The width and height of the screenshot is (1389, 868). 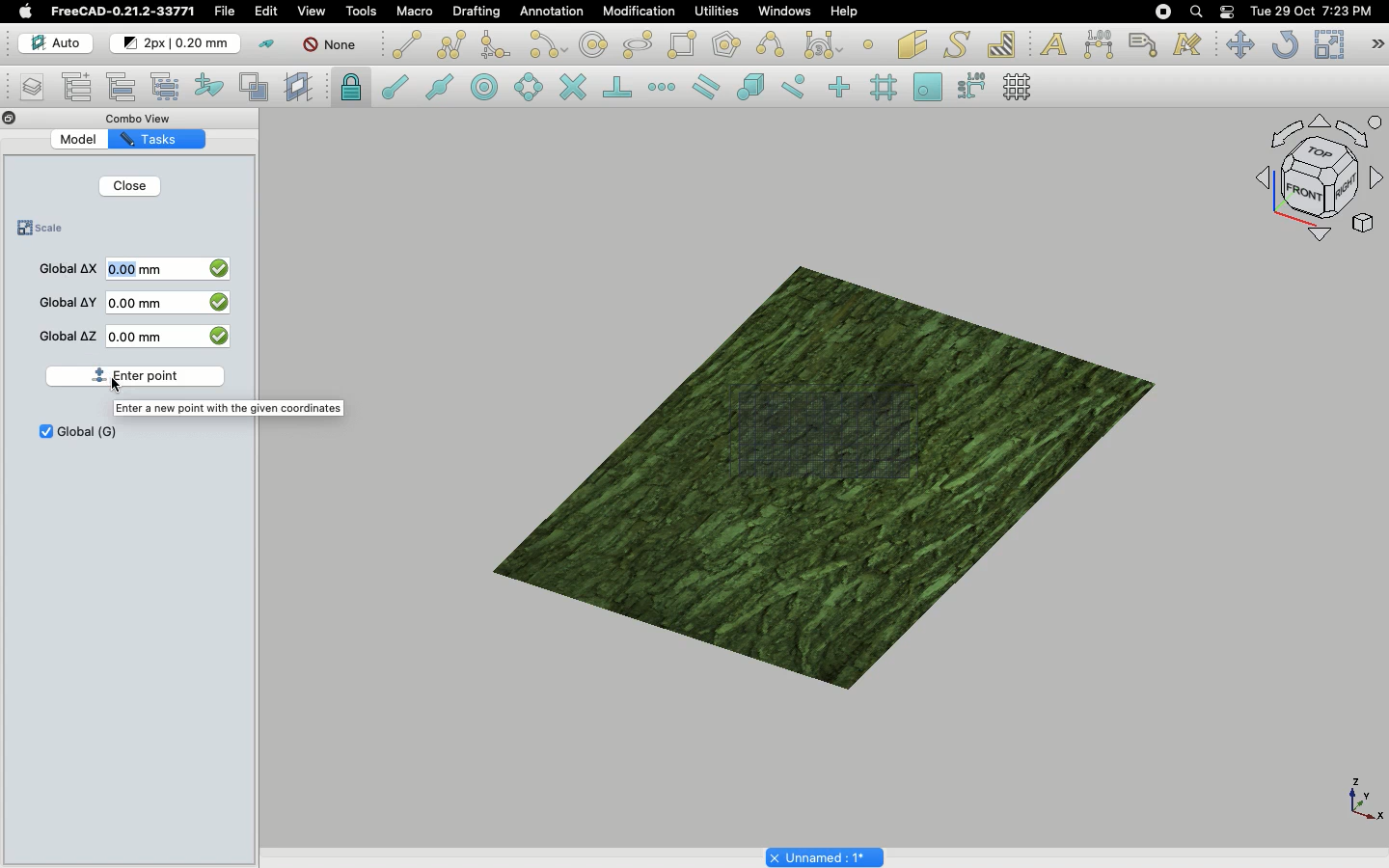 I want to click on Model, so click(x=80, y=140).